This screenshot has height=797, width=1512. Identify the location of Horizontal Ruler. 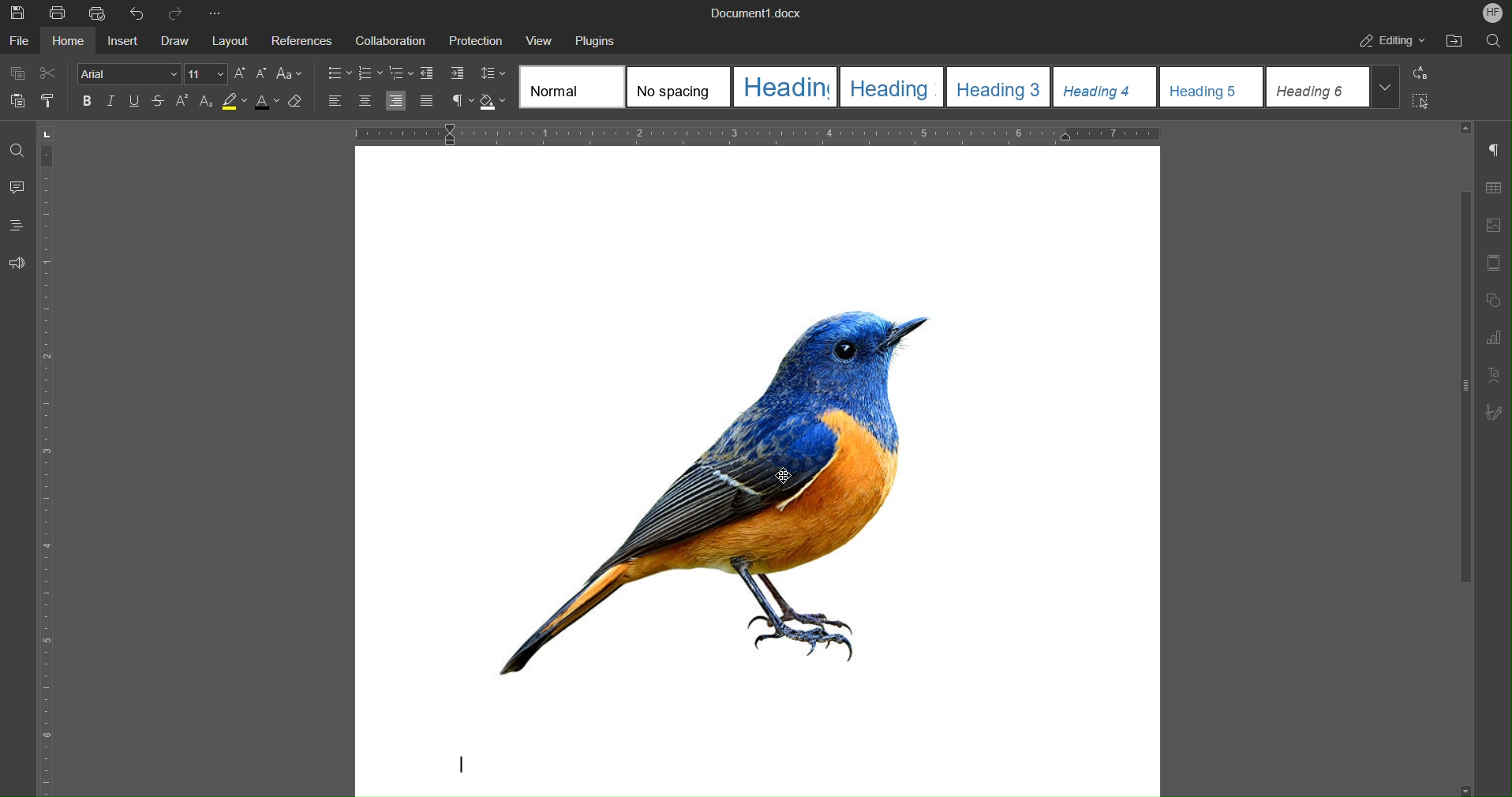
(758, 133).